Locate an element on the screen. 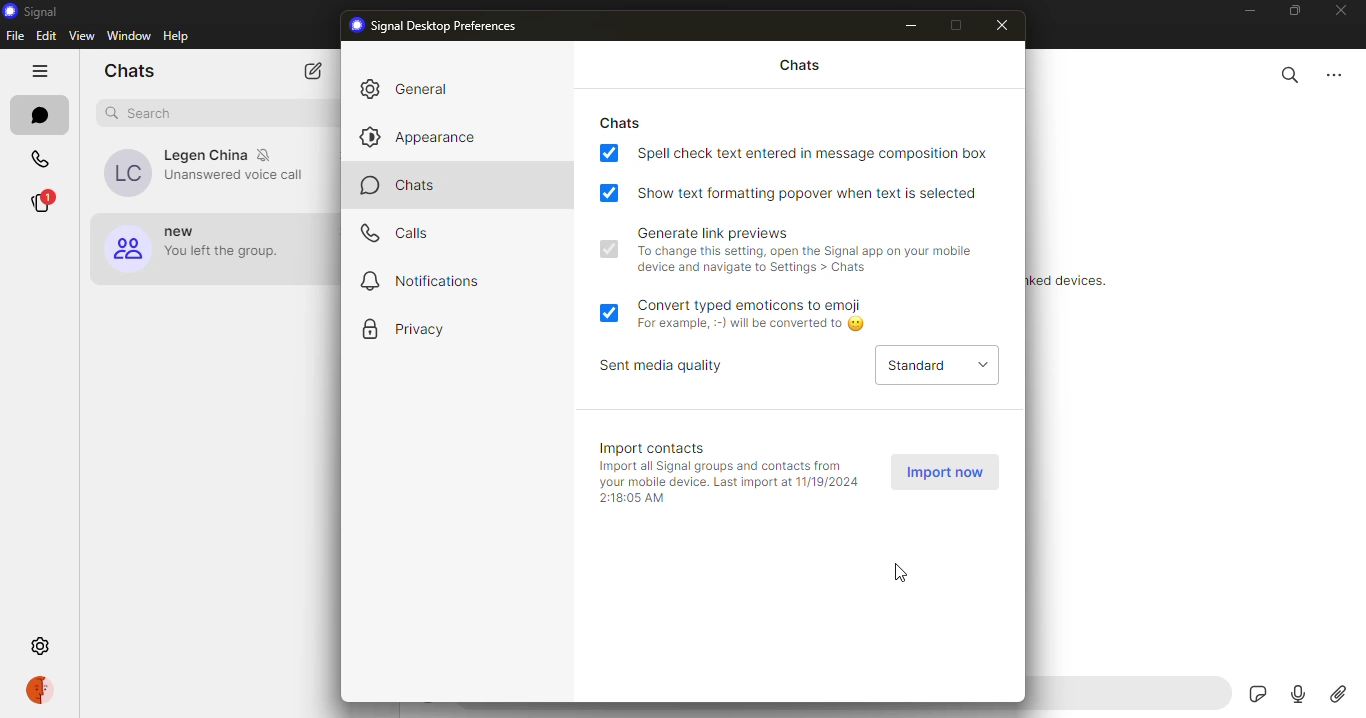 The image size is (1366, 718). signal is located at coordinates (31, 11).